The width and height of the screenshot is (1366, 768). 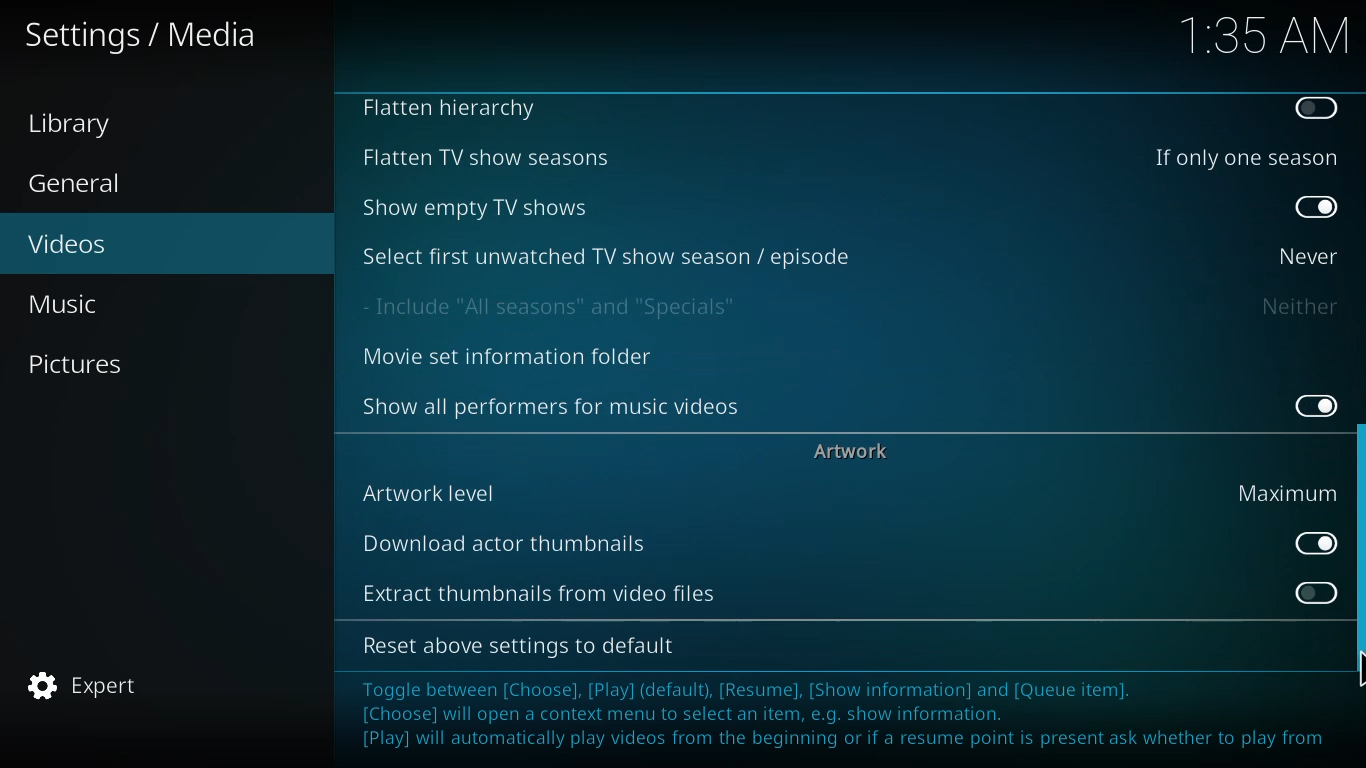 I want to click on enable, so click(x=1312, y=591).